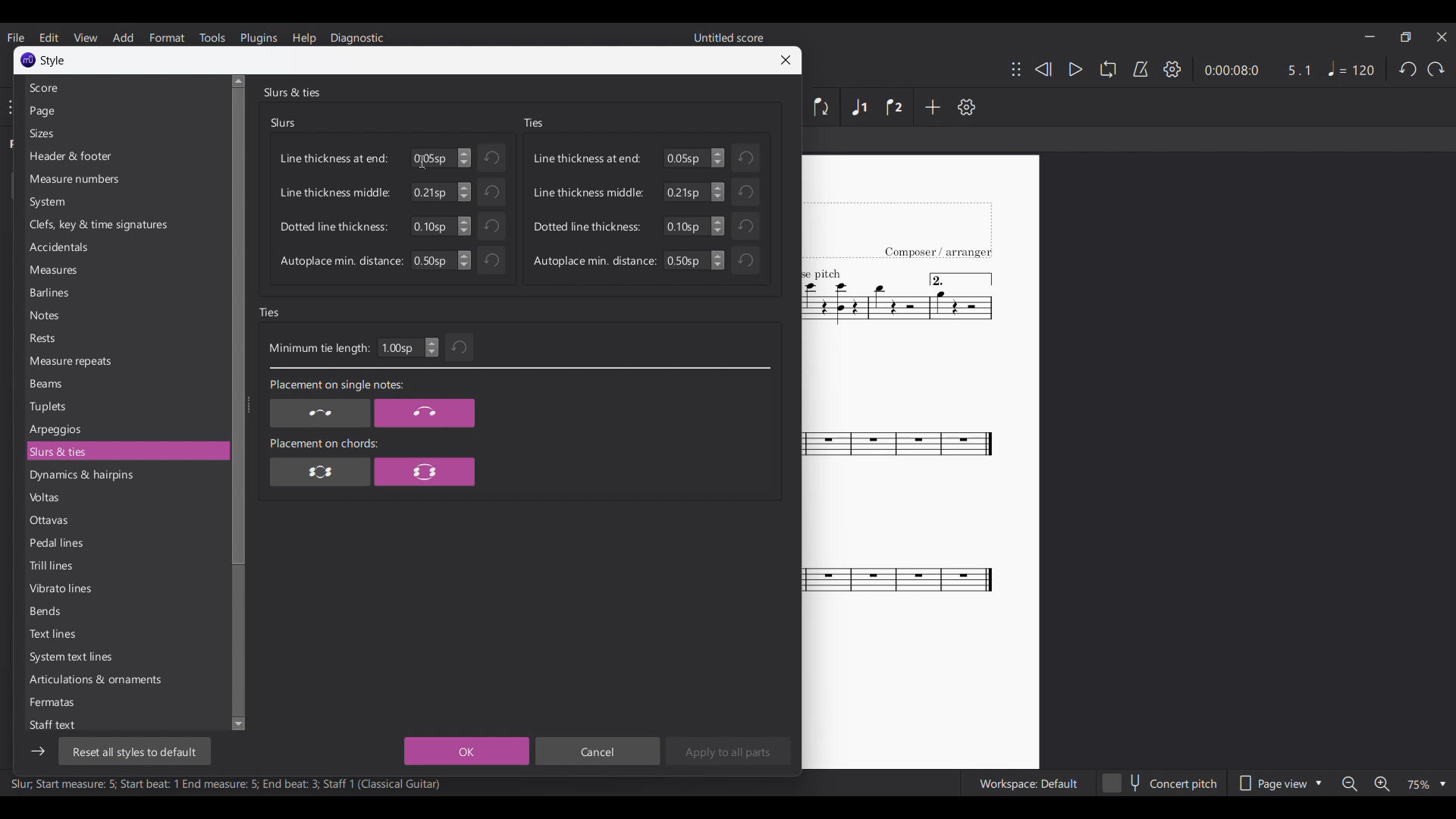 The height and width of the screenshot is (819, 1456). Describe the element at coordinates (432, 192) in the screenshot. I see `Manually input line thickness middle` at that location.